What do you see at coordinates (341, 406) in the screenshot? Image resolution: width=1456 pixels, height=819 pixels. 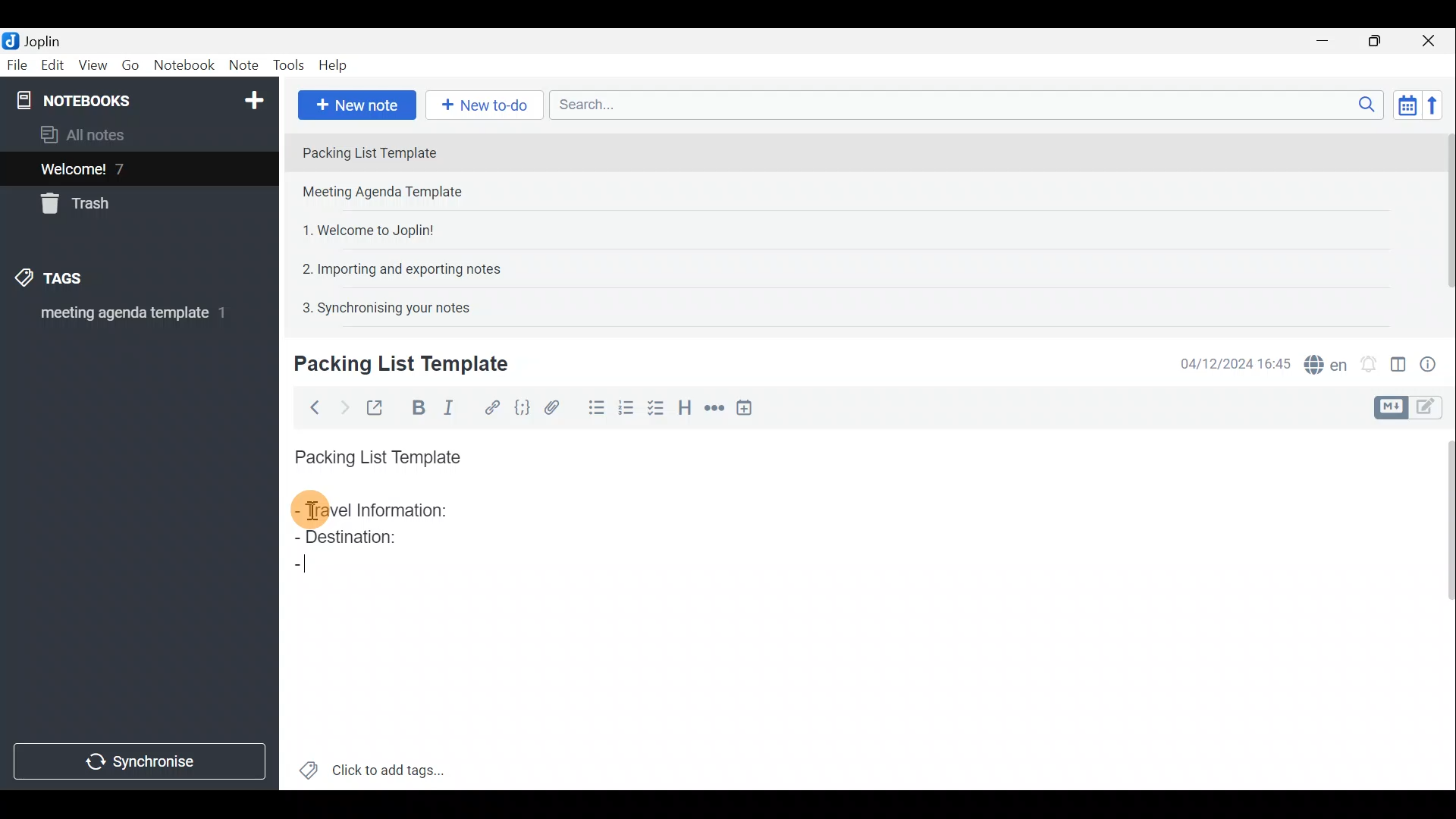 I see `Forward` at bounding box center [341, 406].